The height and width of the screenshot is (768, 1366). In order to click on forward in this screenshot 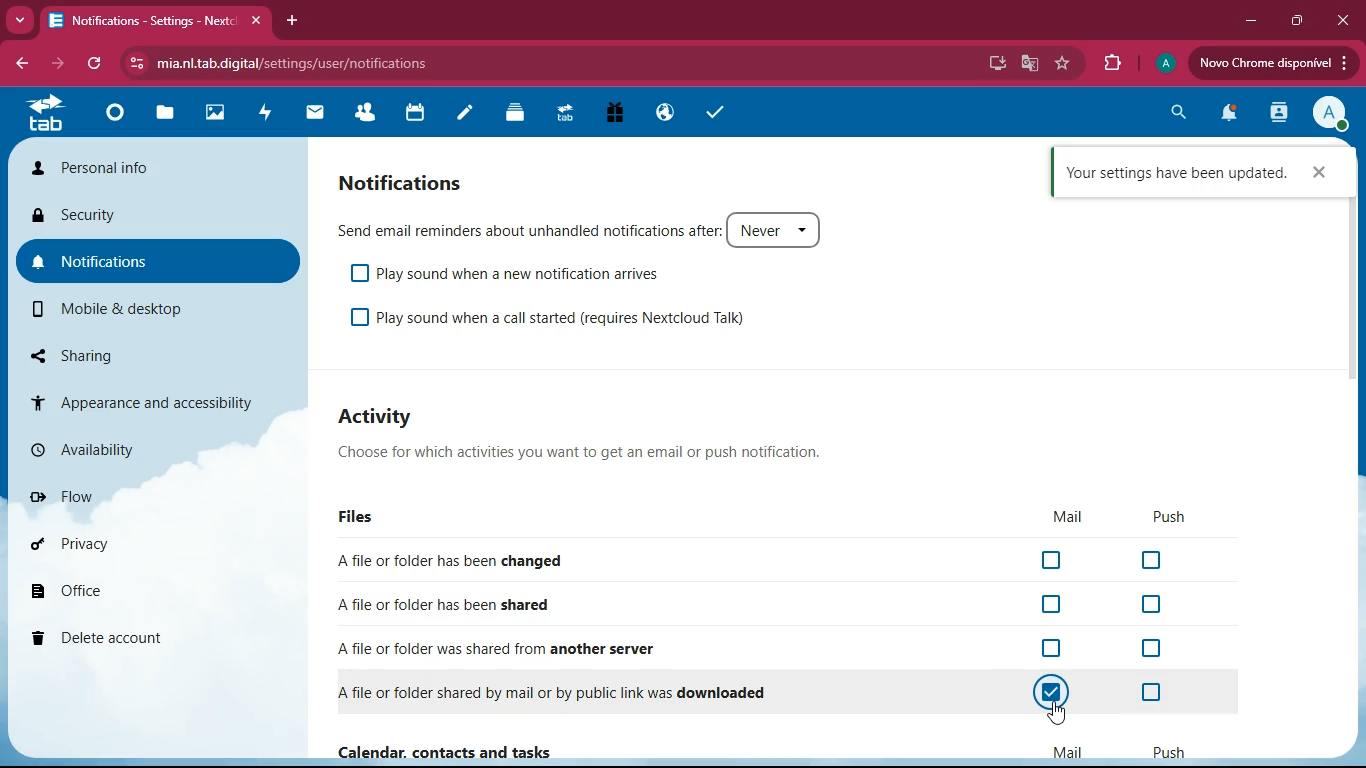, I will do `click(55, 65)`.